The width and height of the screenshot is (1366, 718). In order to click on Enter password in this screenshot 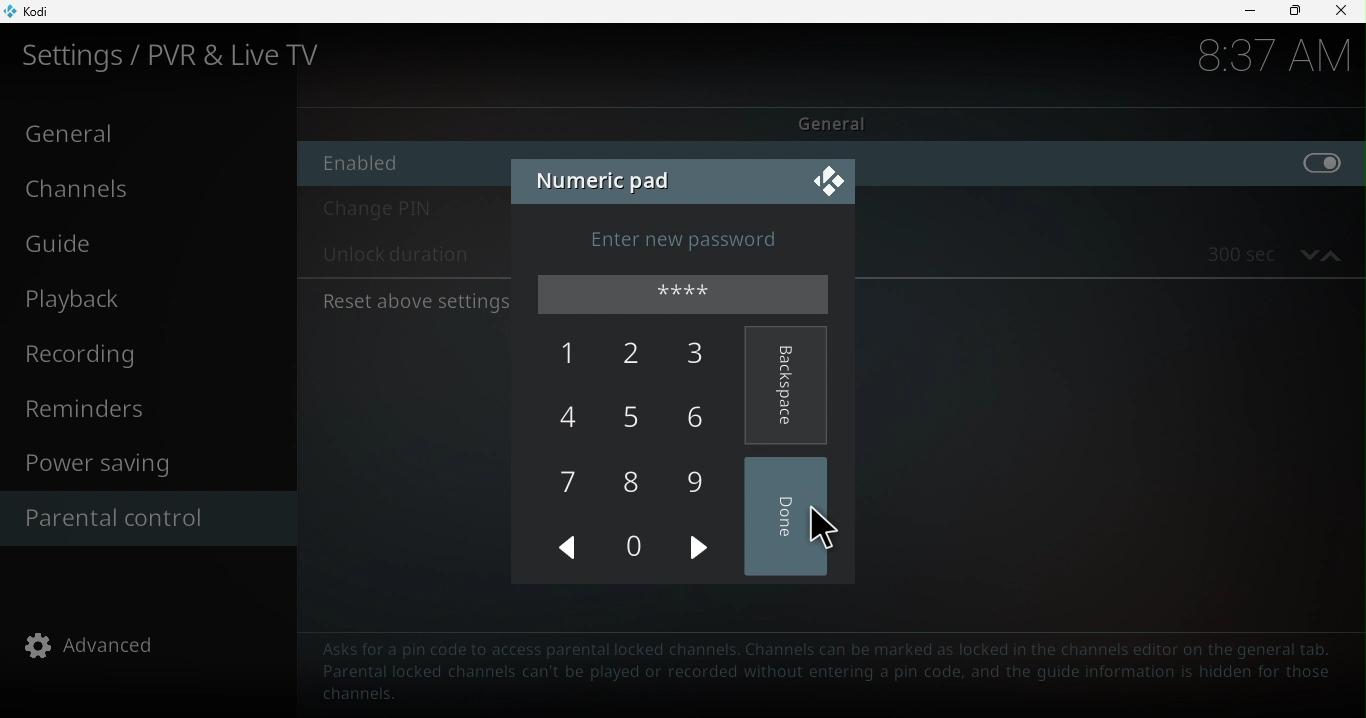, I will do `click(689, 297)`.